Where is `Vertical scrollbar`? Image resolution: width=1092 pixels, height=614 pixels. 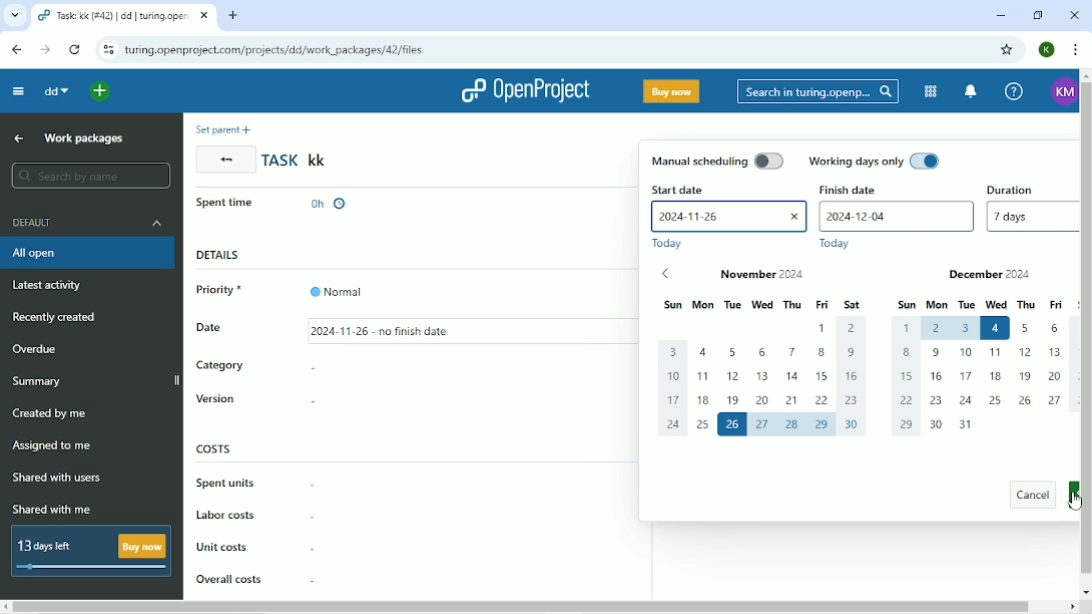 Vertical scrollbar is located at coordinates (1085, 332).